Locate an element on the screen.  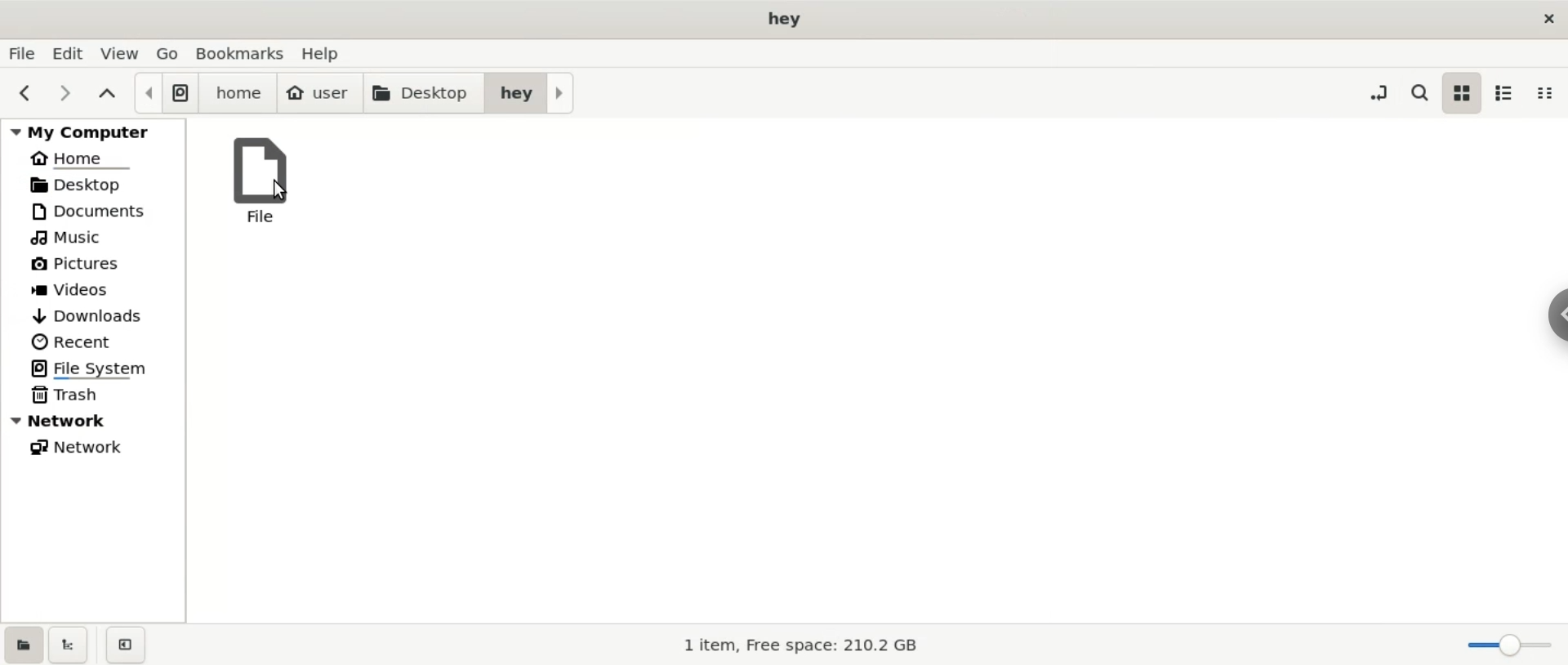
view is located at coordinates (123, 53).